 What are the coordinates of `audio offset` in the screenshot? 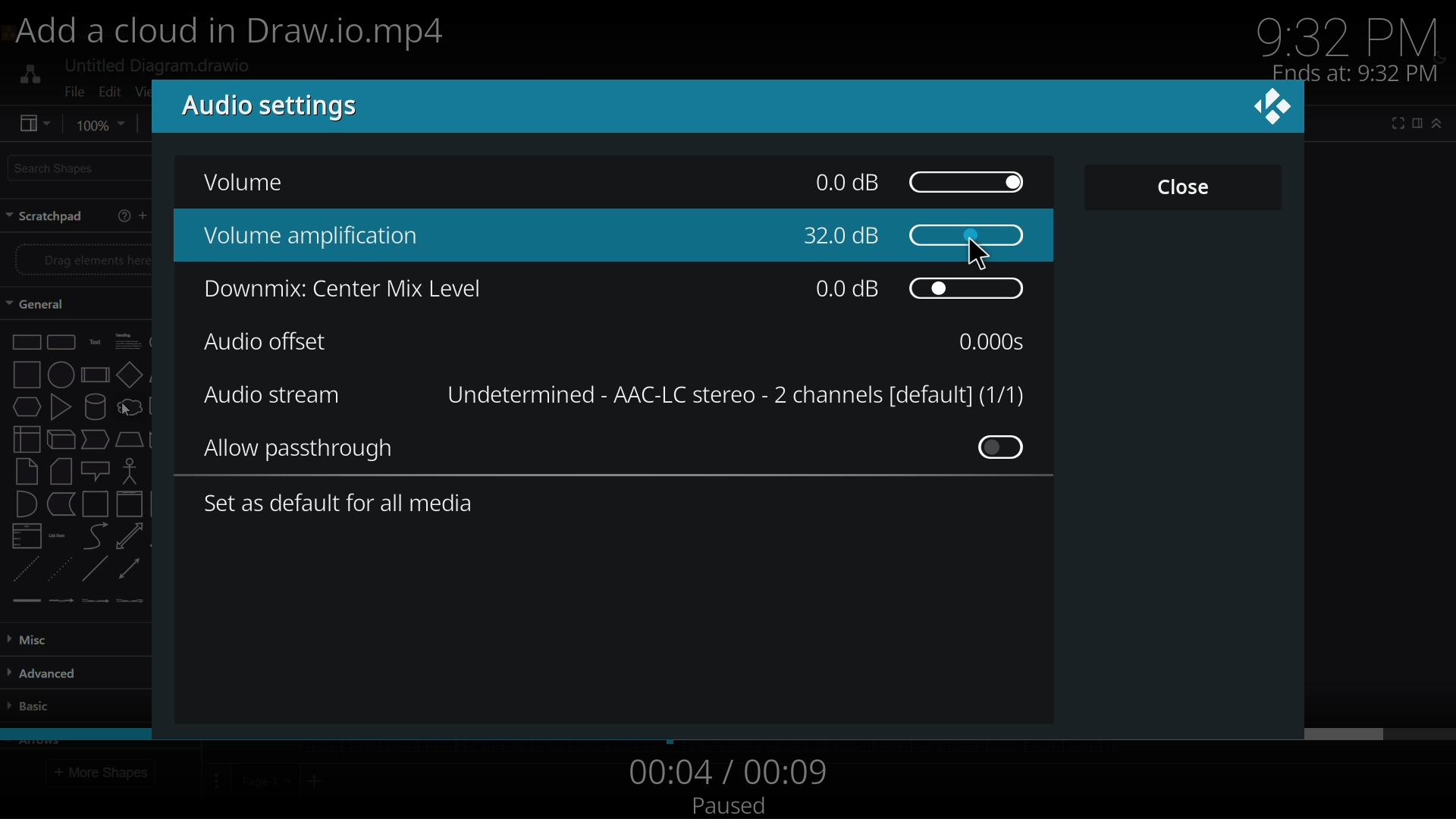 It's located at (268, 340).